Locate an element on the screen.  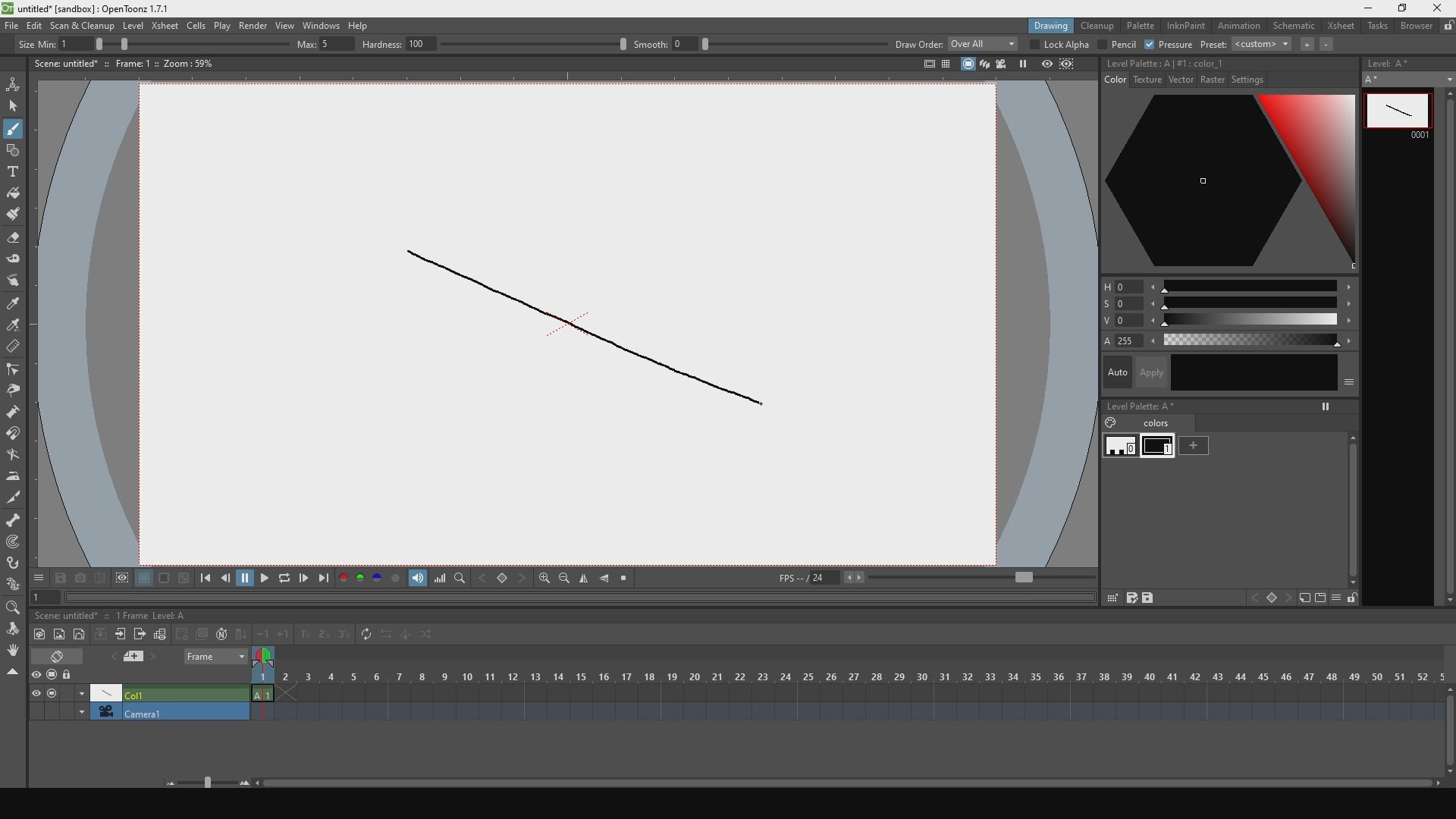
texture is located at coordinates (1147, 79).